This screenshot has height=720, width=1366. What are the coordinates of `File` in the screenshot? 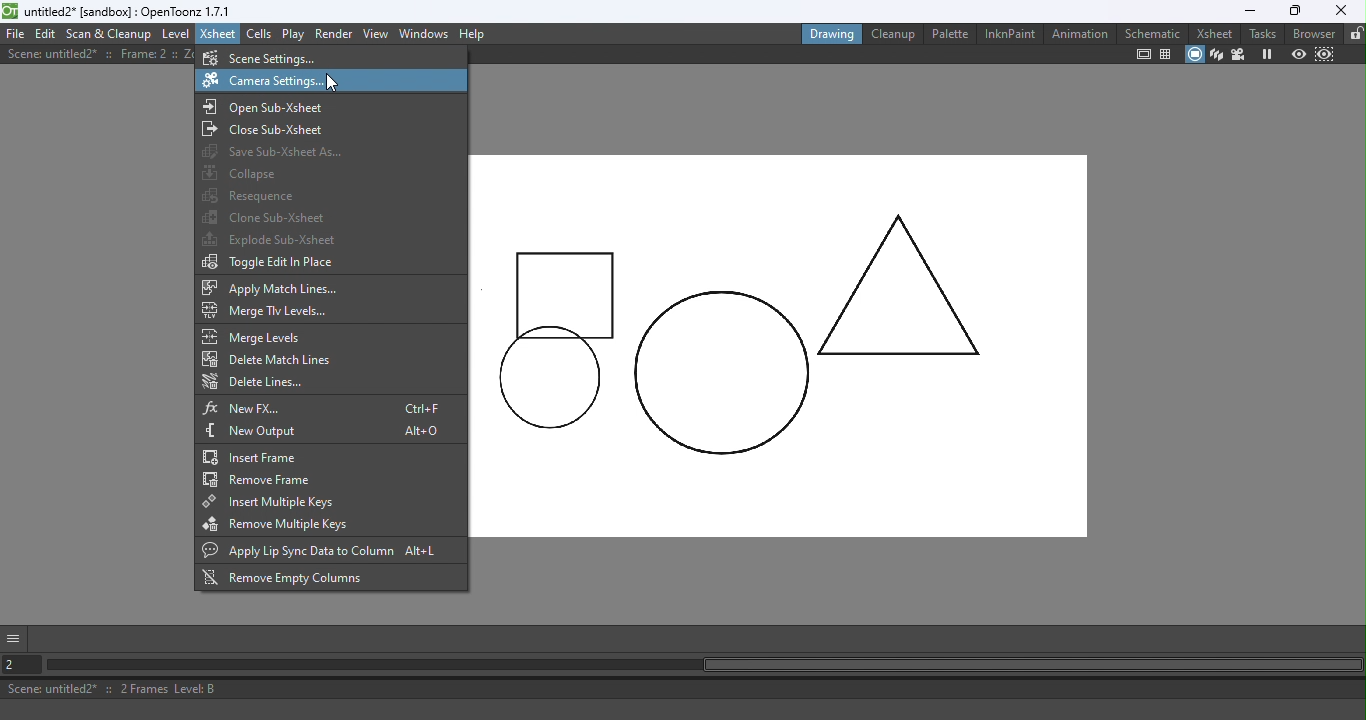 It's located at (15, 33).